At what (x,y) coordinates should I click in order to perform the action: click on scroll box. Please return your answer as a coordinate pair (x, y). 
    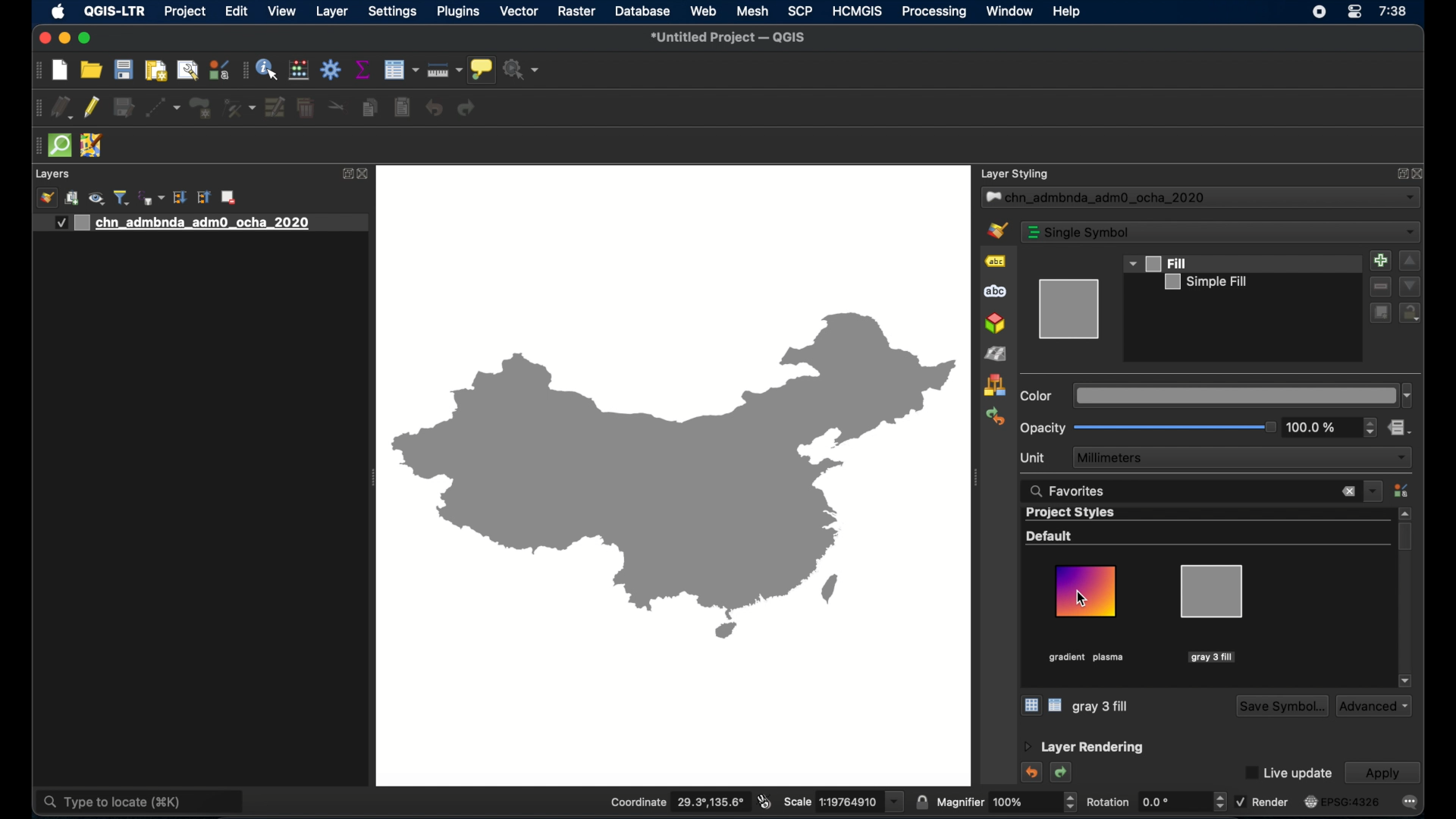
    Looking at the image, I should click on (1405, 537).